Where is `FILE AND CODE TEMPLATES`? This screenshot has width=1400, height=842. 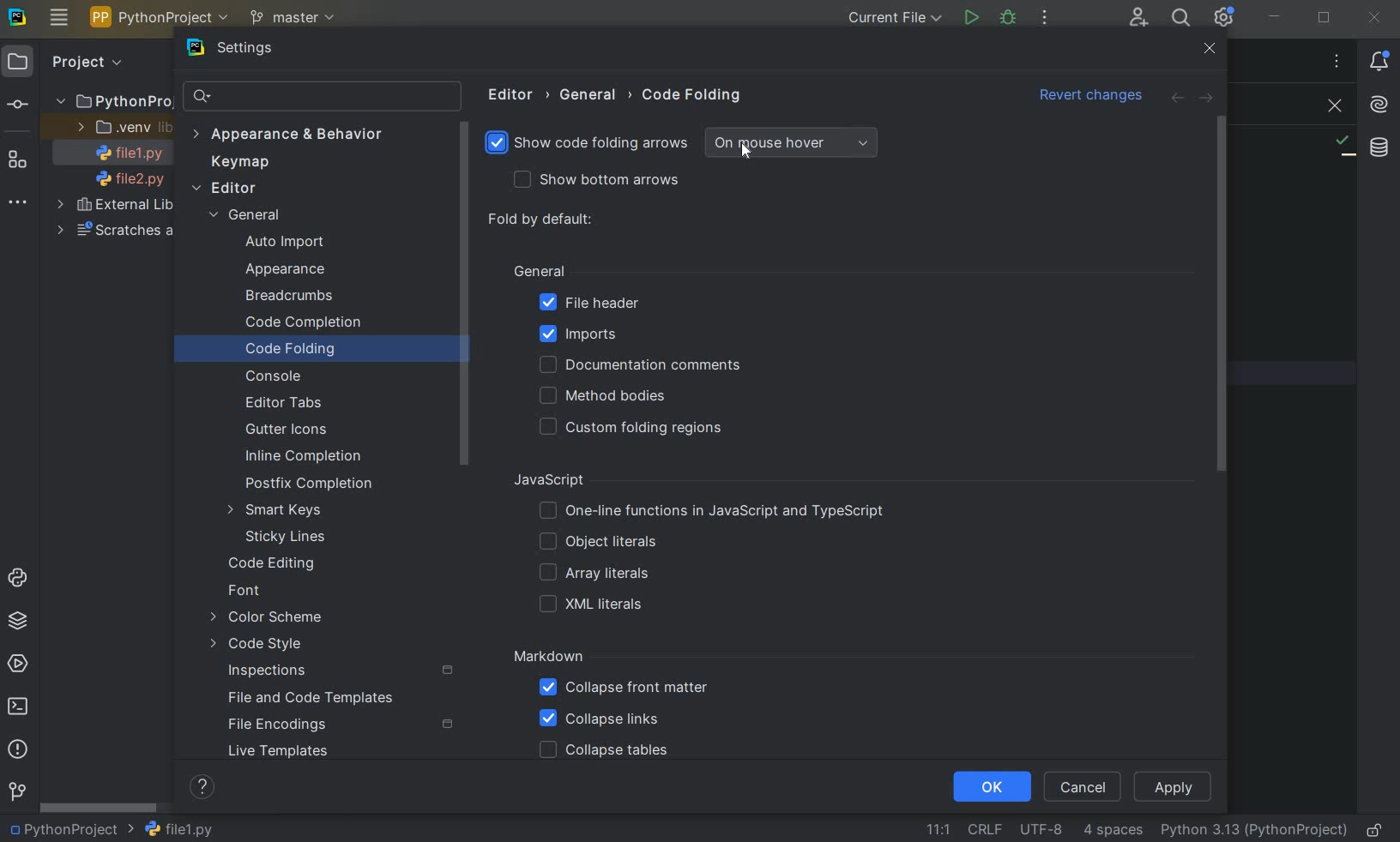
FILE AND CODE TEMPLATES is located at coordinates (315, 697).